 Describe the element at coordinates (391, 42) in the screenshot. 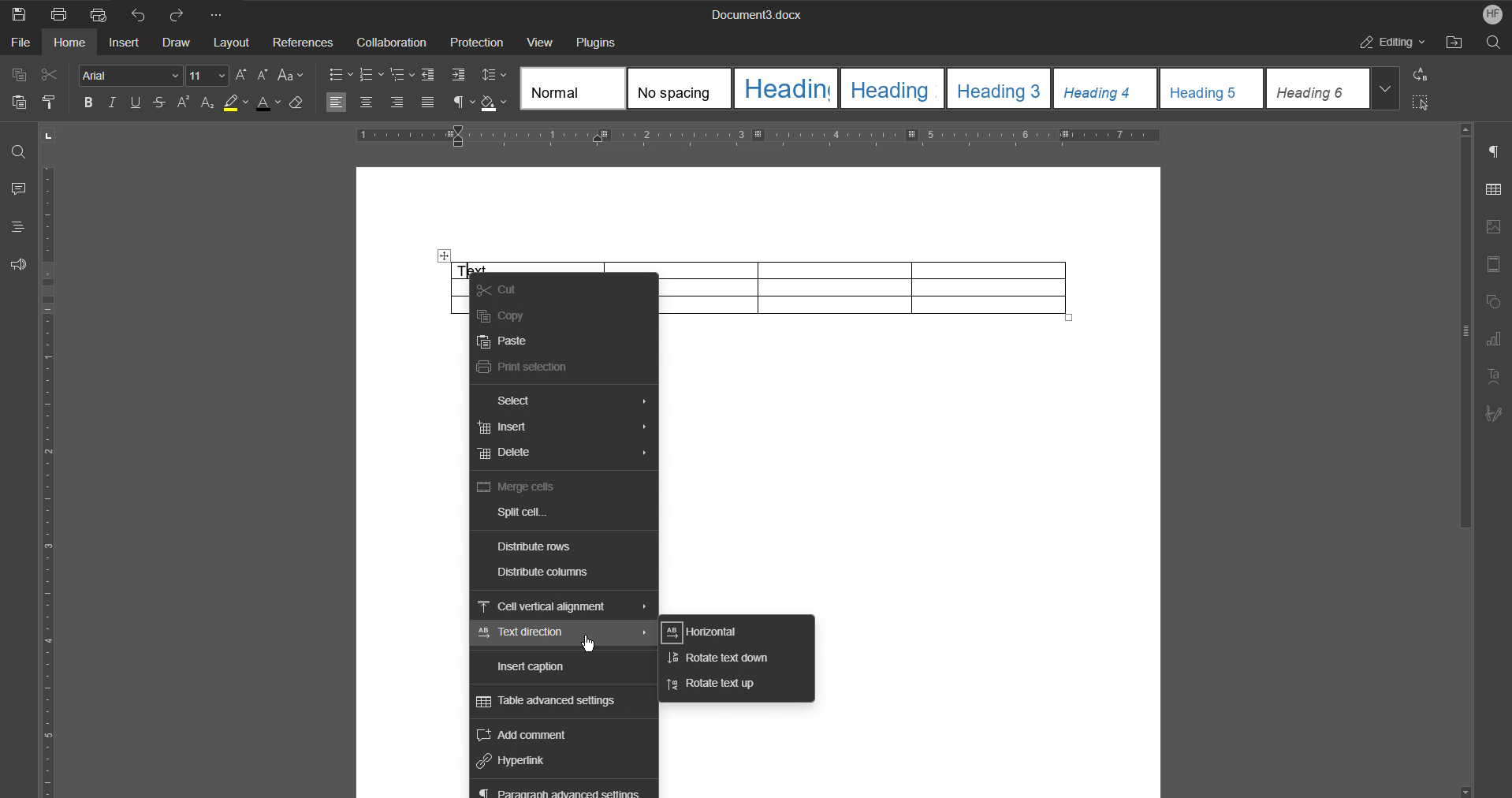

I see `Collaboration` at that location.